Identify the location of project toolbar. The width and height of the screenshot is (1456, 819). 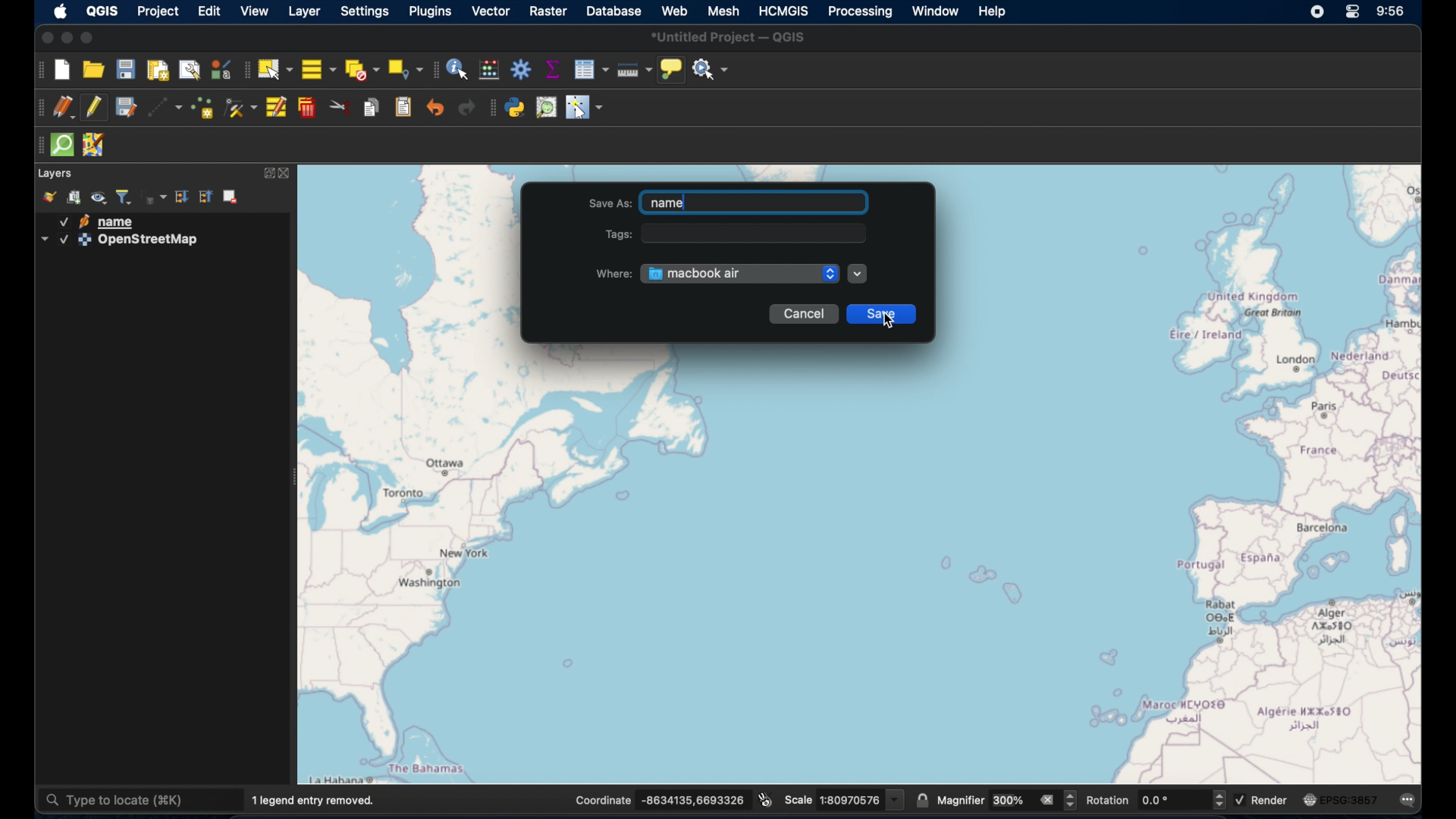
(38, 70).